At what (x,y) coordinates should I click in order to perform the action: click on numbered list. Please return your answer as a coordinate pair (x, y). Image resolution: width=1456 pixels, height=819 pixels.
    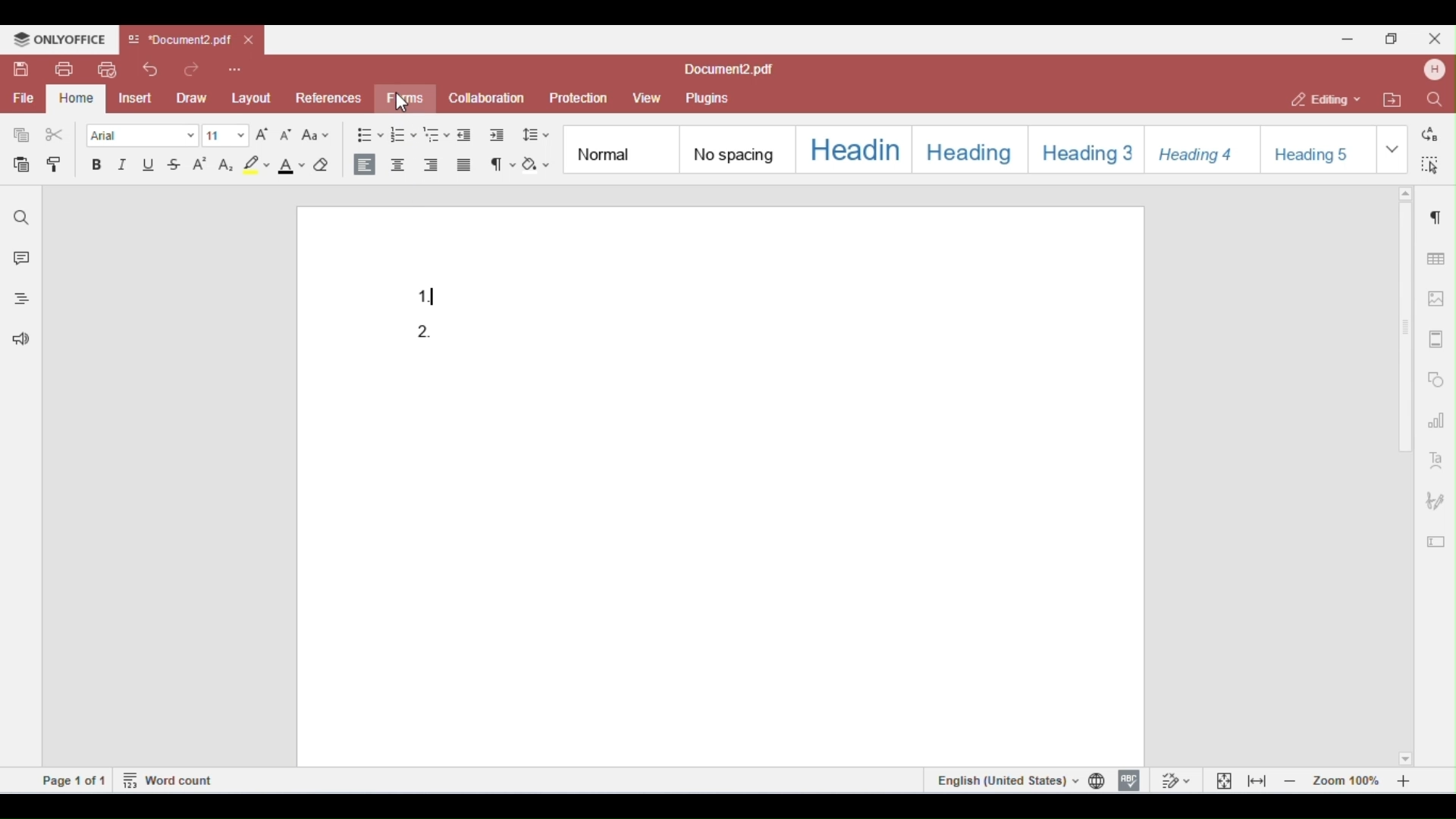
    Looking at the image, I should click on (402, 134).